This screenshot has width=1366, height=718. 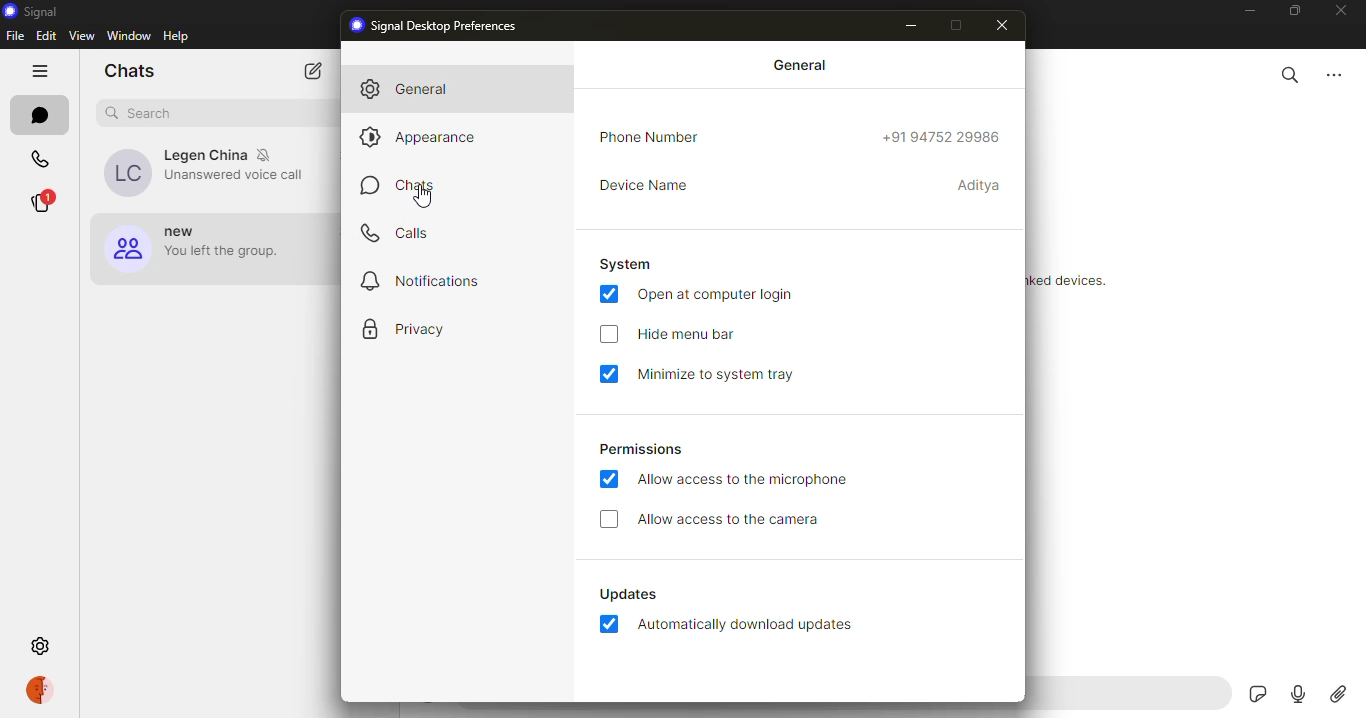 What do you see at coordinates (943, 136) in the screenshot?
I see `number` at bounding box center [943, 136].